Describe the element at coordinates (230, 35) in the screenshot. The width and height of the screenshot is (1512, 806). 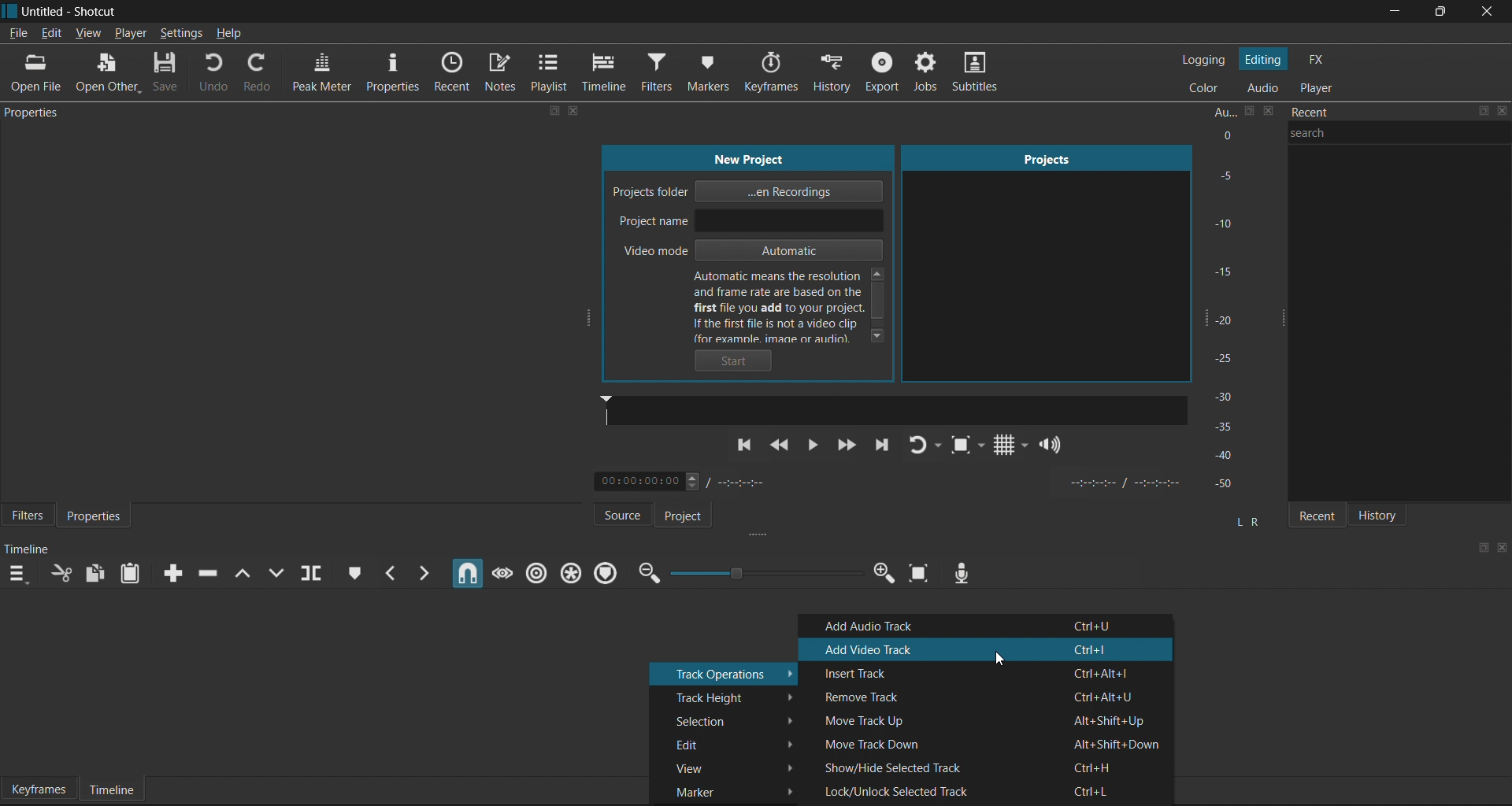
I see `Help` at that location.